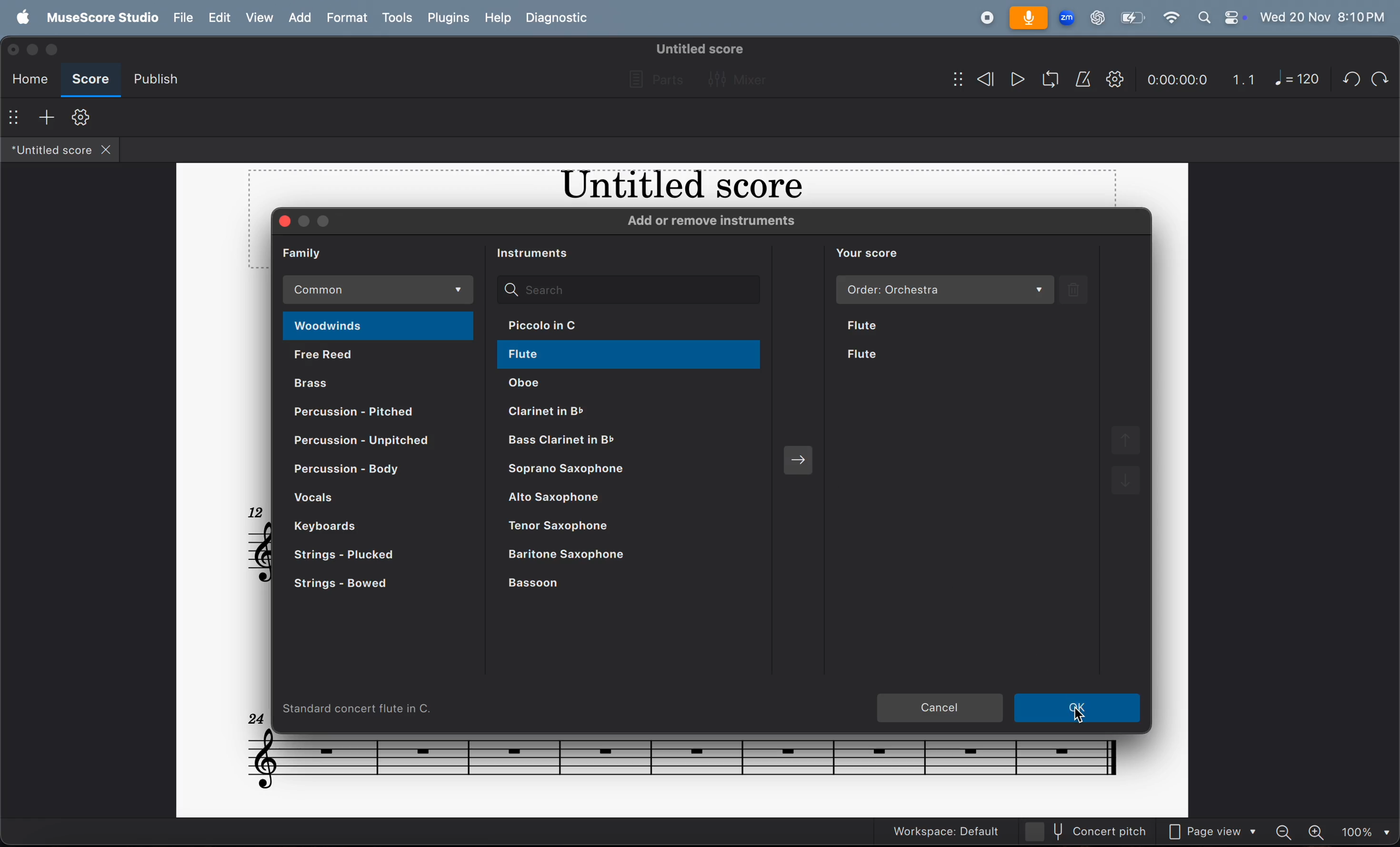 The height and width of the screenshot is (847, 1400). Describe the element at coordinates (1047, 77) in the screenshot. I see `loop play ` at that location.